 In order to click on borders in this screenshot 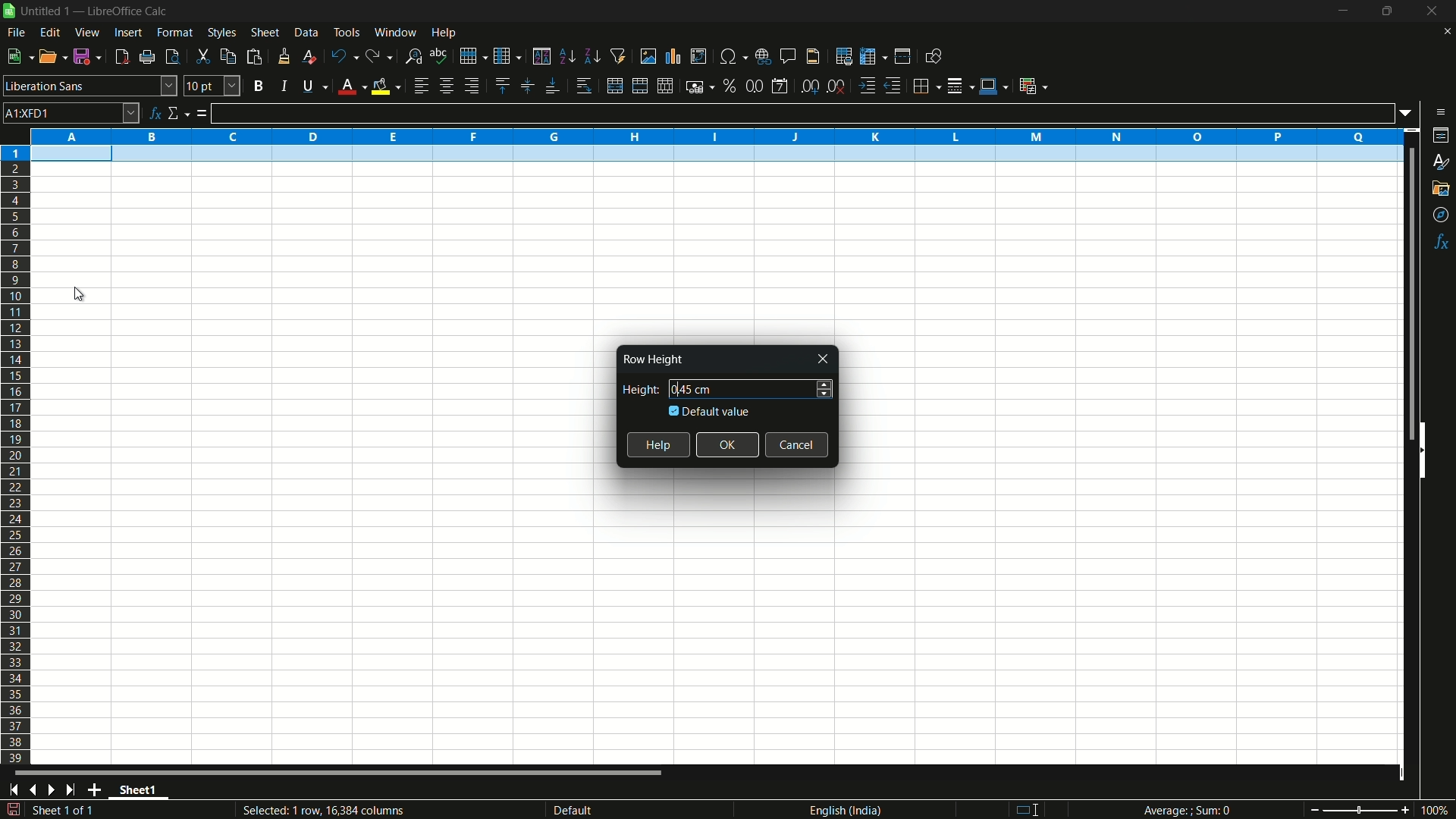, I will do `click(927, 84)`.